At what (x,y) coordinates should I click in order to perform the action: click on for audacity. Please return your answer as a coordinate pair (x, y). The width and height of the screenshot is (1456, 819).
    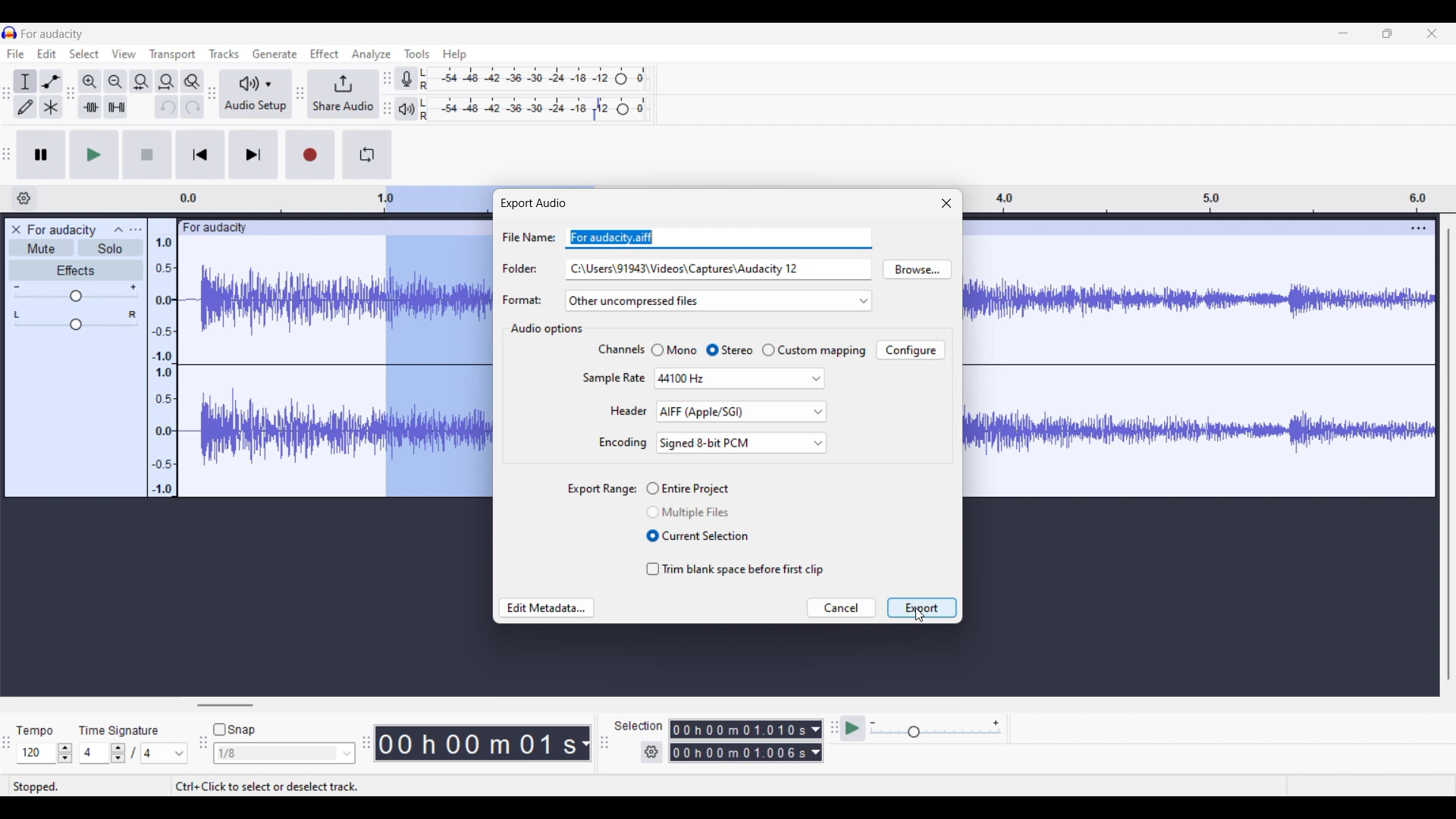
    Looking at the image, I should click on (52, 34).